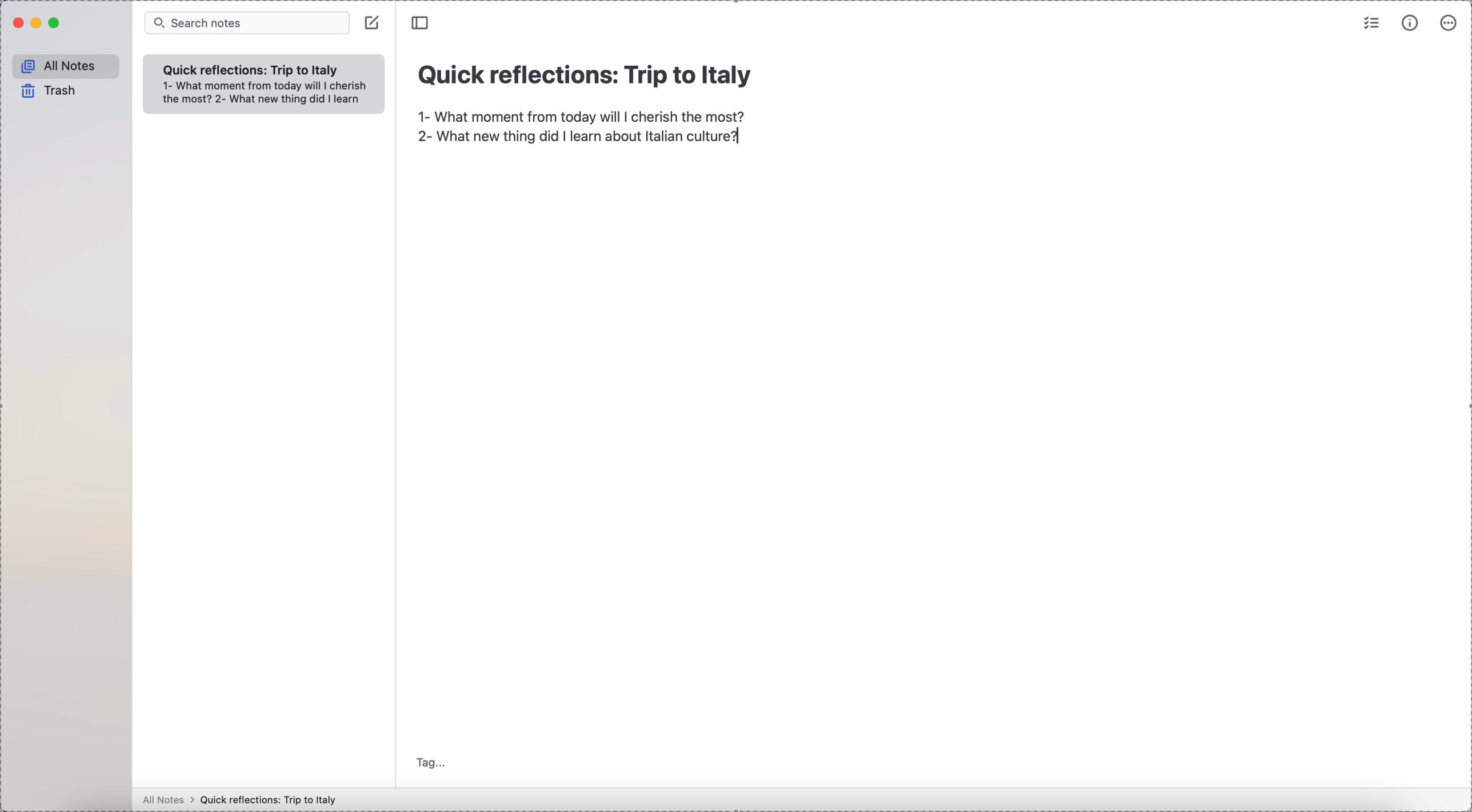 The width and height of the screenshot is (1472, 812). Describe the element at coordinates (583, 115) in the screenshot. I see `1- What moment from today will I cherish the most?` at that location.